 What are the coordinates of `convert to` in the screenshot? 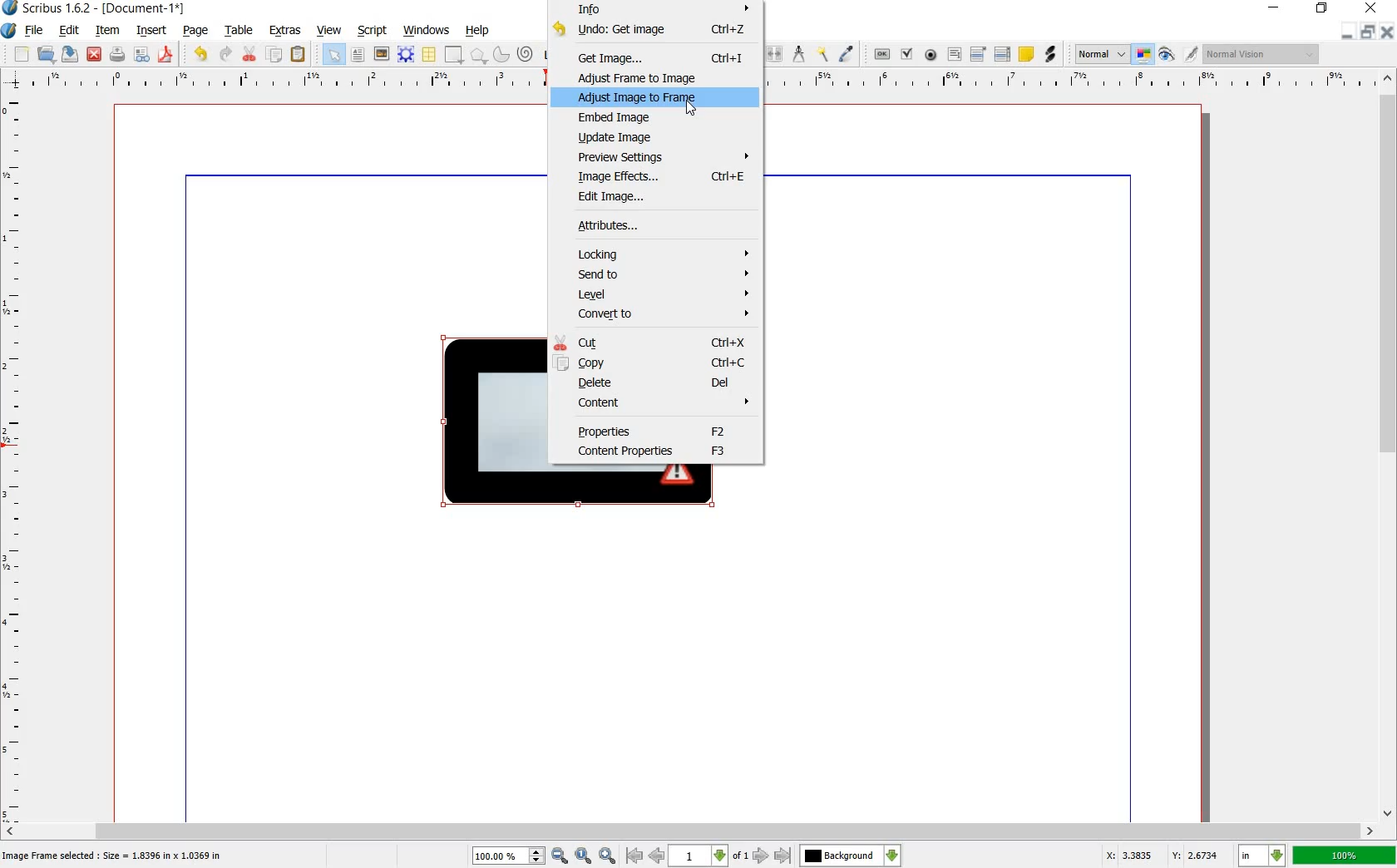 It's located at (661, 317).